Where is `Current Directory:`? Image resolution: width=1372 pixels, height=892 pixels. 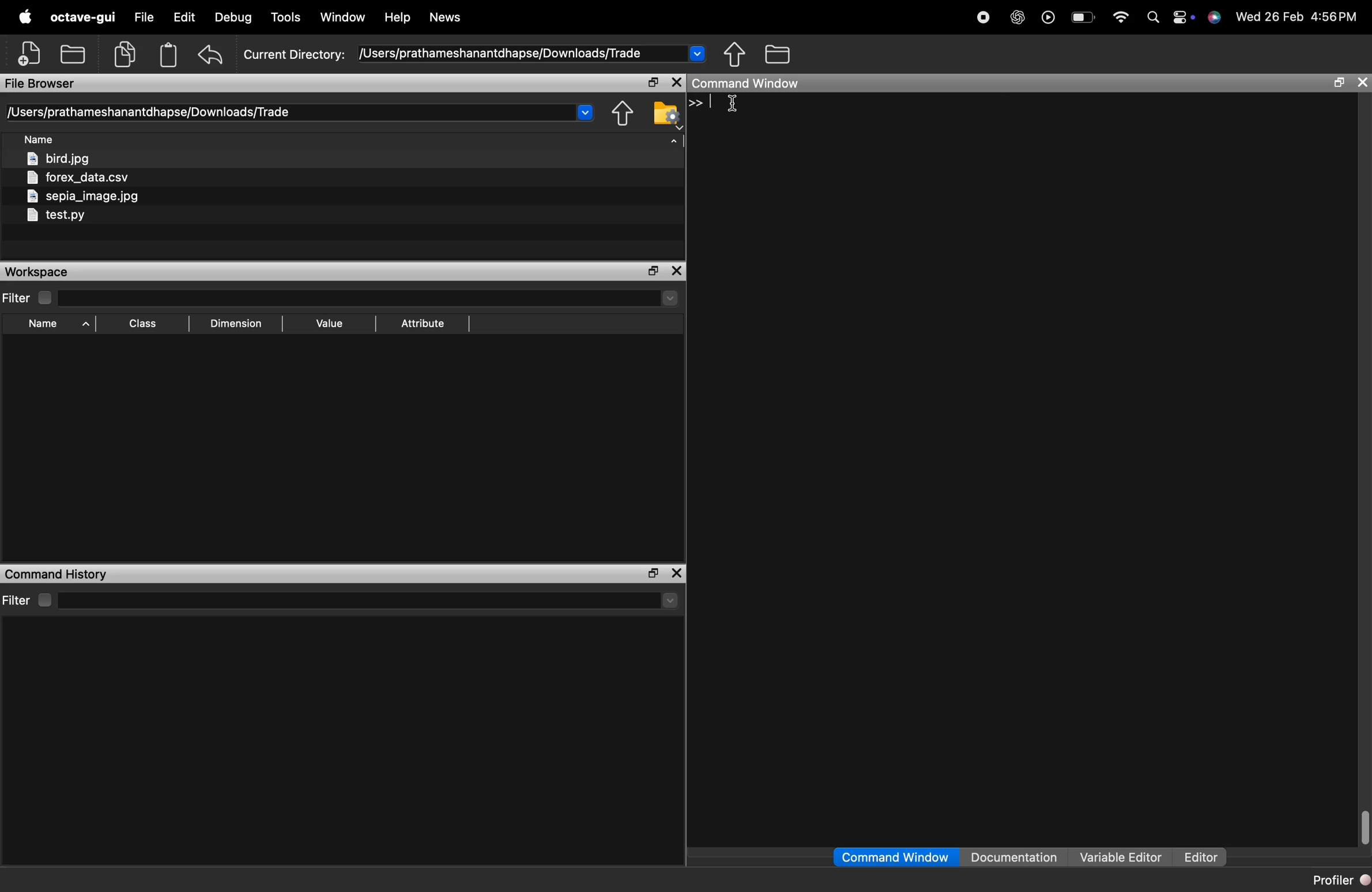
Current Directory: is located at coordinates (295, 55).